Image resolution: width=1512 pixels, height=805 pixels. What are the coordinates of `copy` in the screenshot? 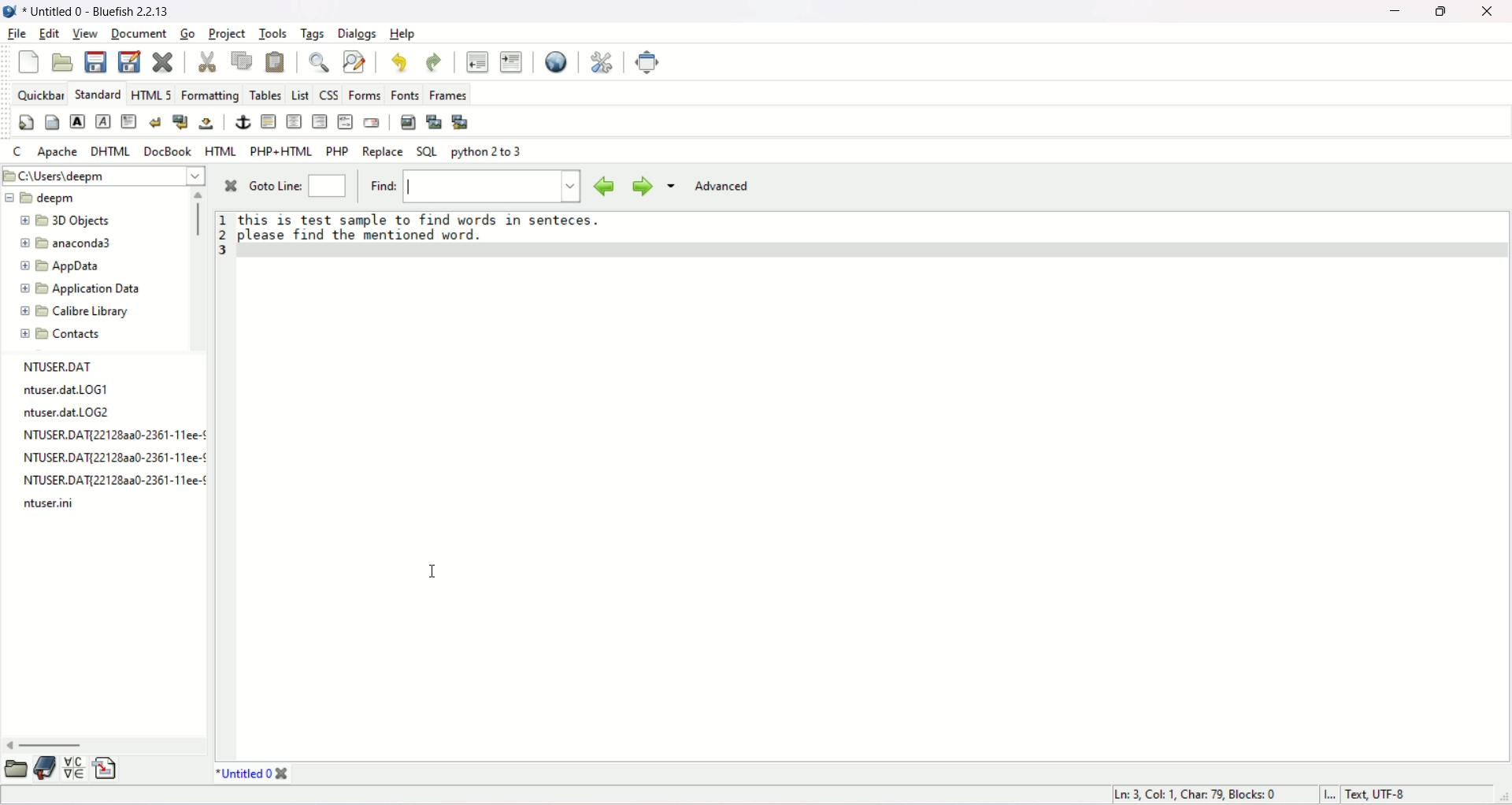 It's located at (239, 60).